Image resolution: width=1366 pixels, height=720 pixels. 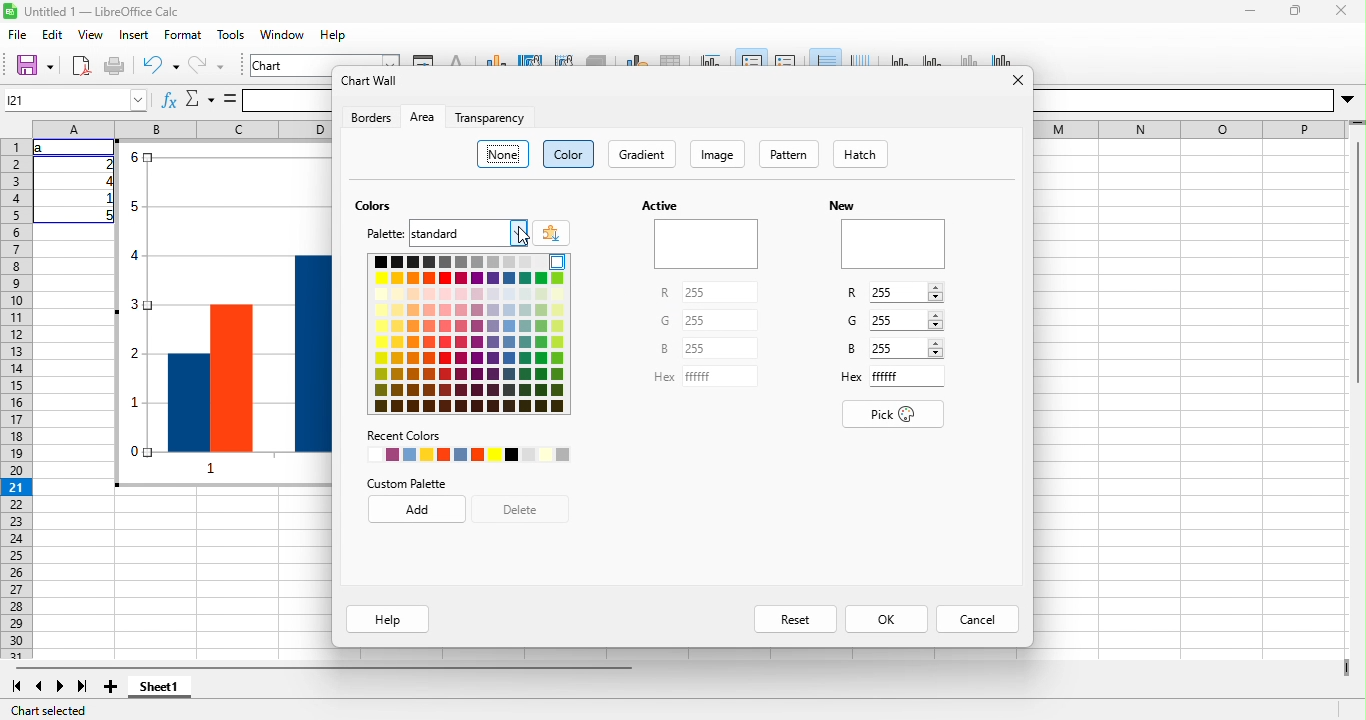 I want to click on Input B value, so click(x=898, y=348).